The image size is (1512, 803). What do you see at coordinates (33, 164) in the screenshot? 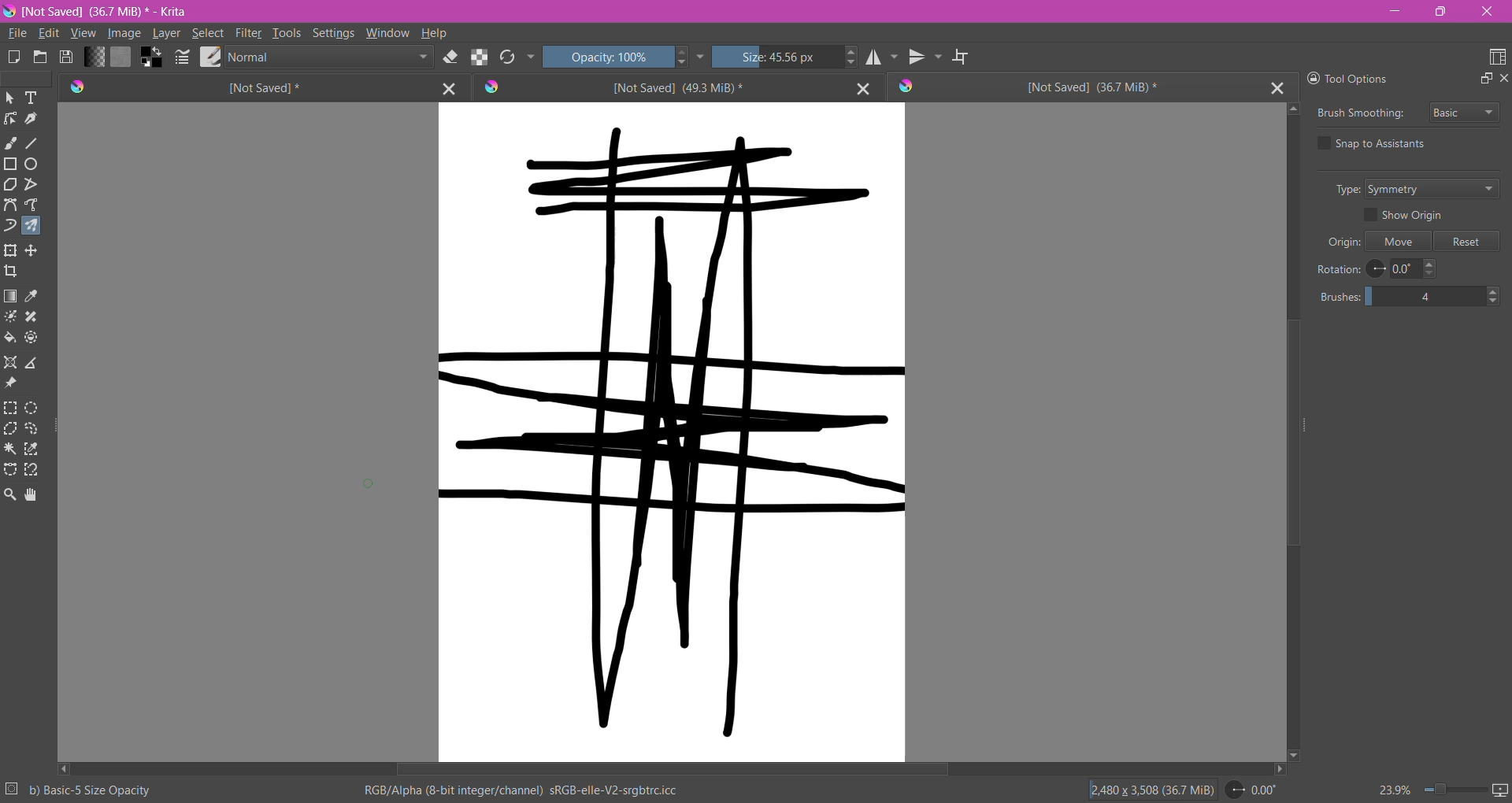
I see `Ellipse Tool` at bounding box center [33, 164].